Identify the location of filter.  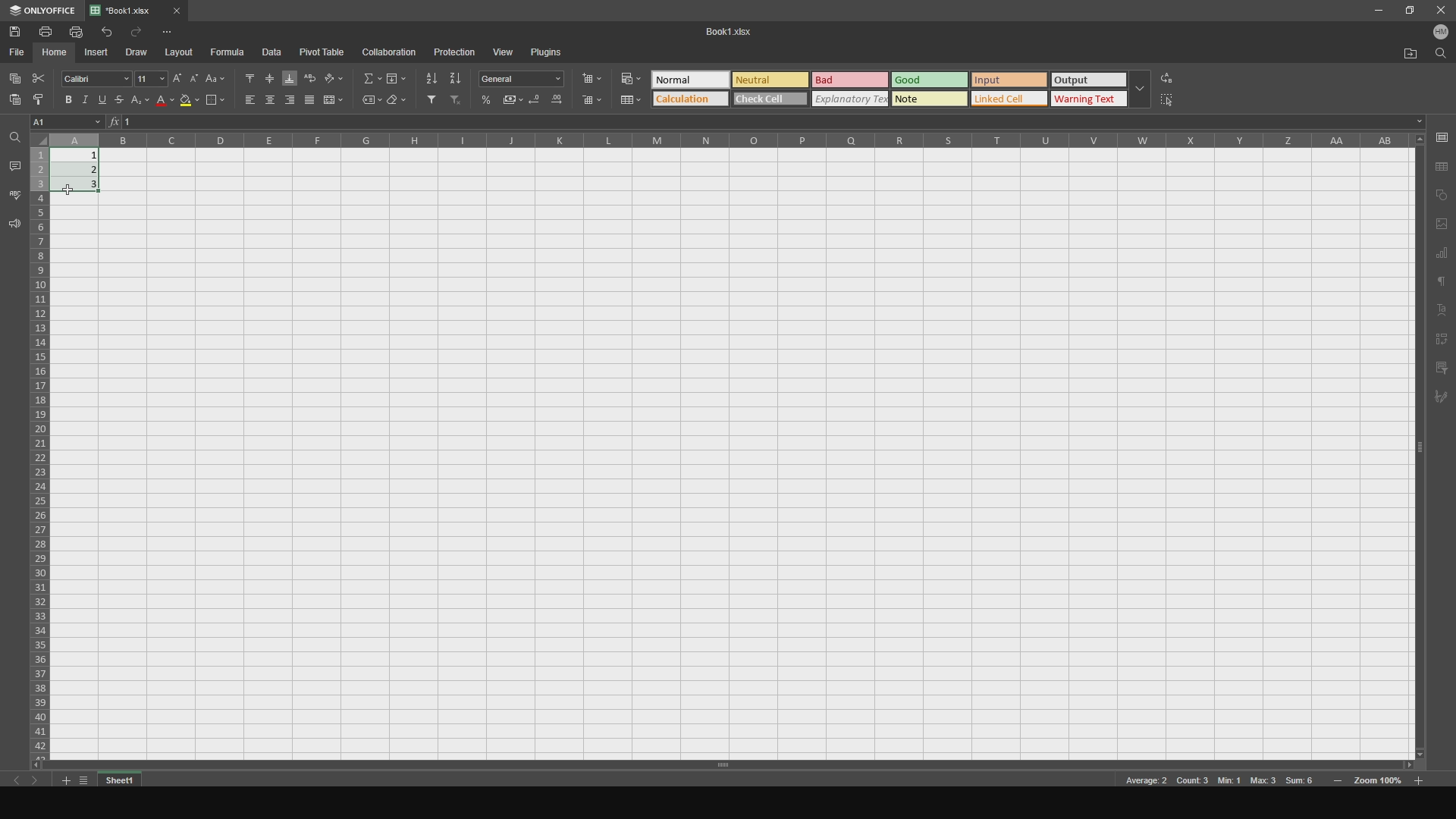
(428, 101).